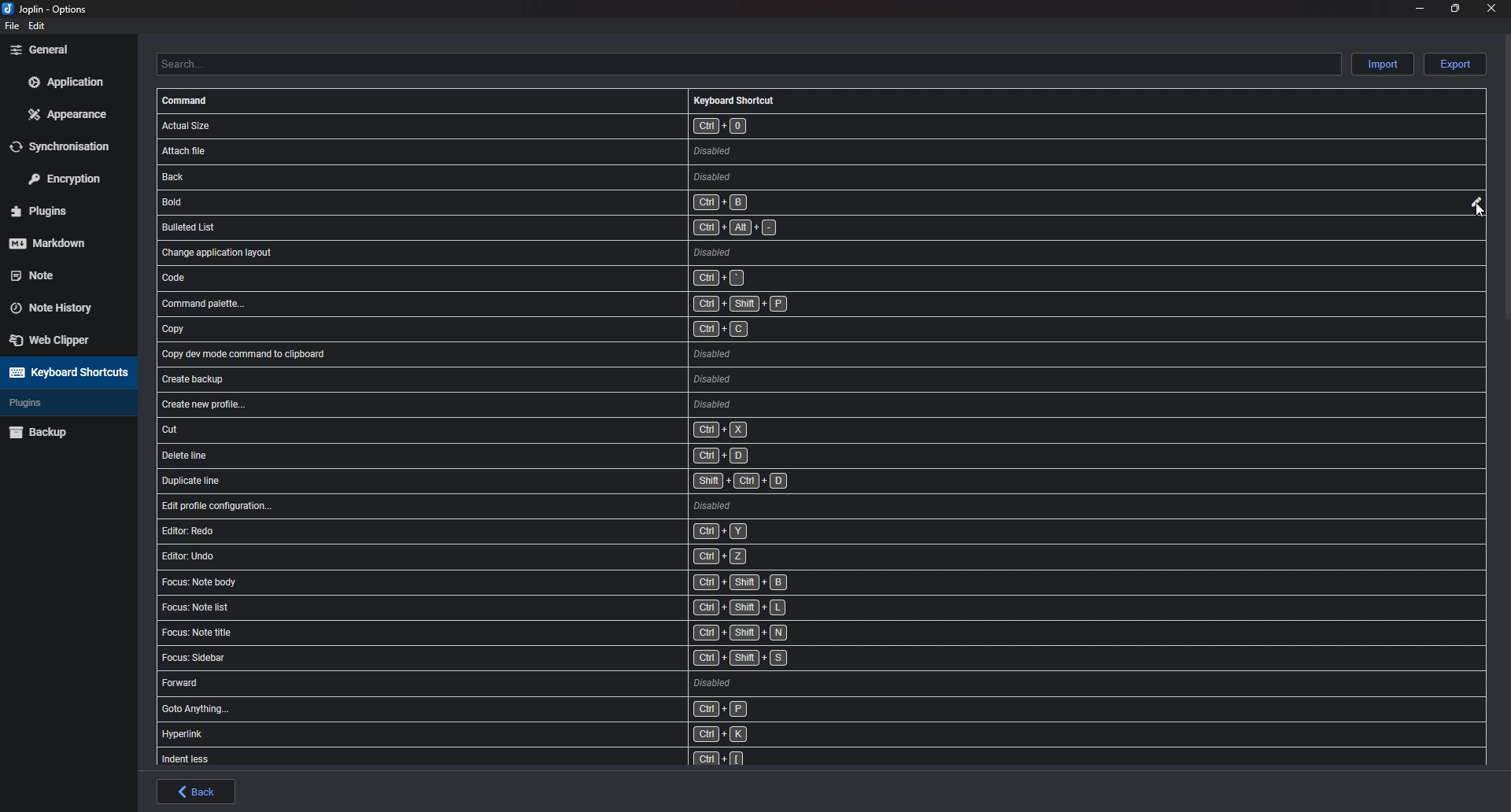  What do you see at coordinates (535, 456) in the screenshot?
I see `shortcut` at bounding box center [535, 456].